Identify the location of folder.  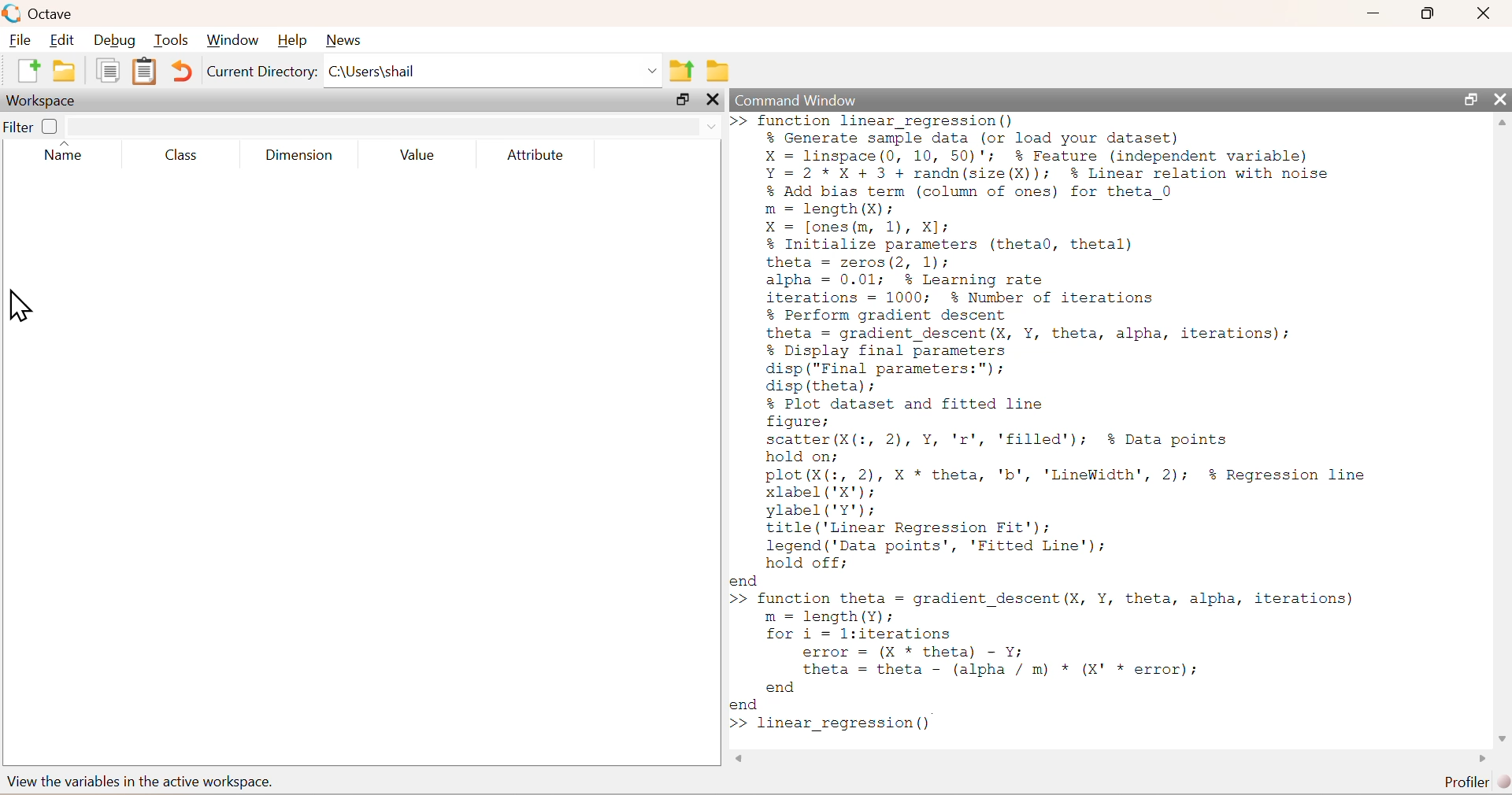
(717, 72).